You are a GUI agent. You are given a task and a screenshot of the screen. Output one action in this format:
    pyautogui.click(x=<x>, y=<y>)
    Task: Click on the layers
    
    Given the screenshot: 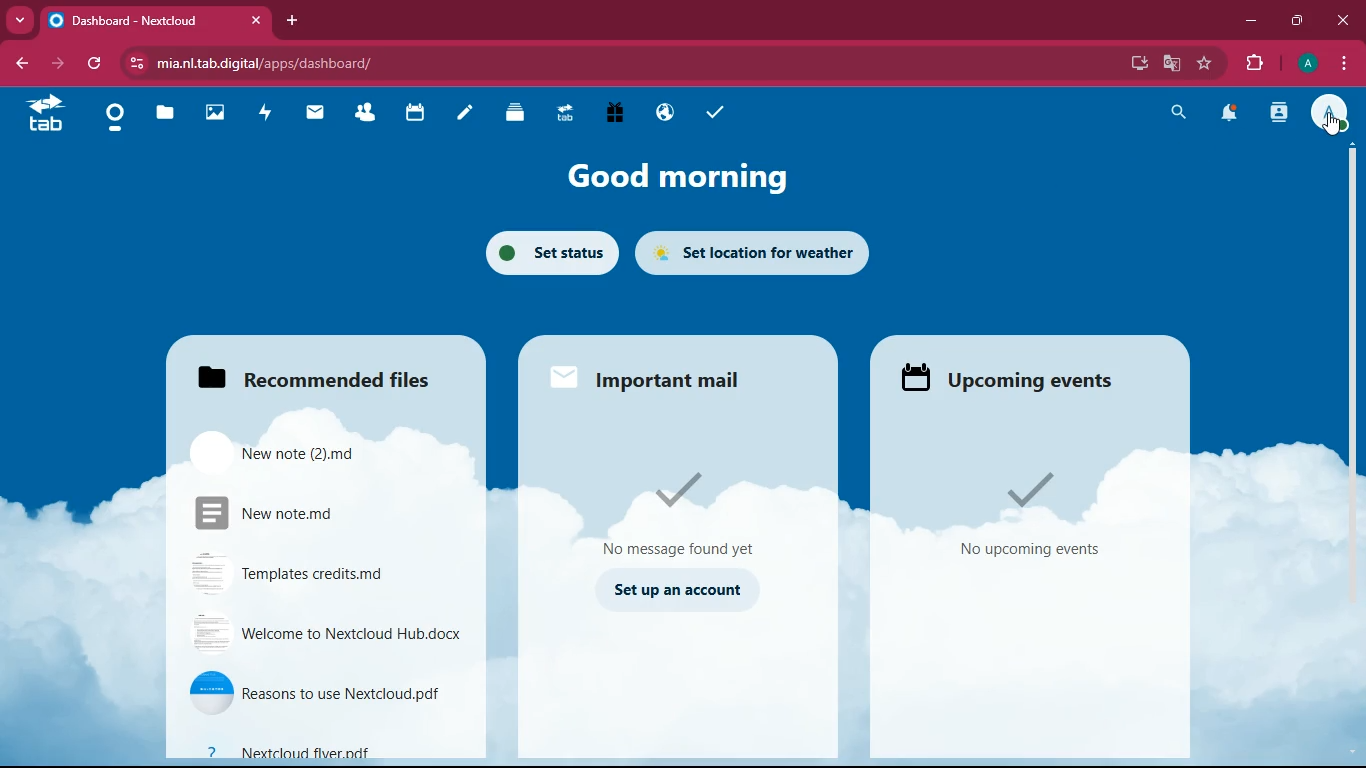 What is the action you would take?
    pyautogui.click(x=510, y=115)
    